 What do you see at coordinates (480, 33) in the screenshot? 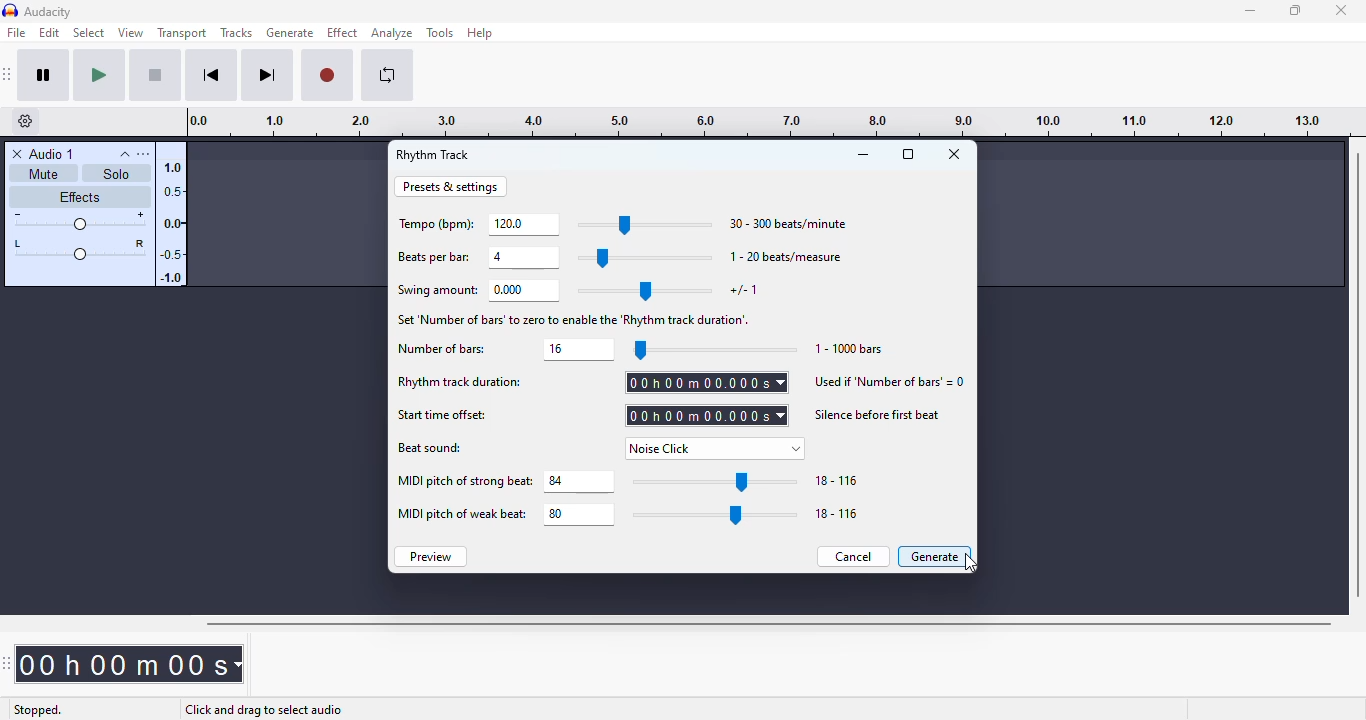
I see `help` at bounding box center [480, 33].